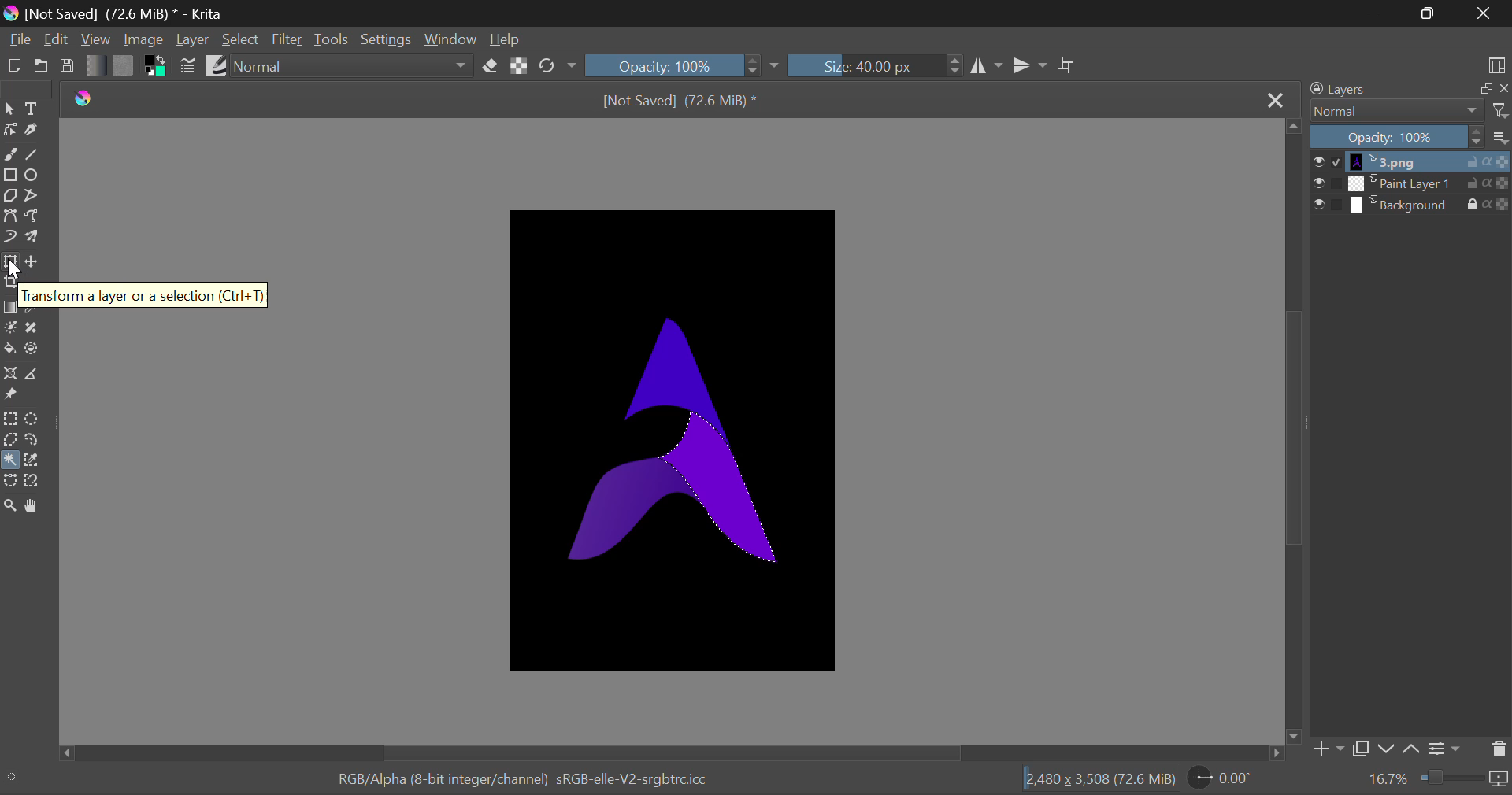 This screenshot has height=795, width=1512. What do you see at coordinates (30, 441) in the screenshot?
I see `Freehand Tool` at bounding box center [30, 441].